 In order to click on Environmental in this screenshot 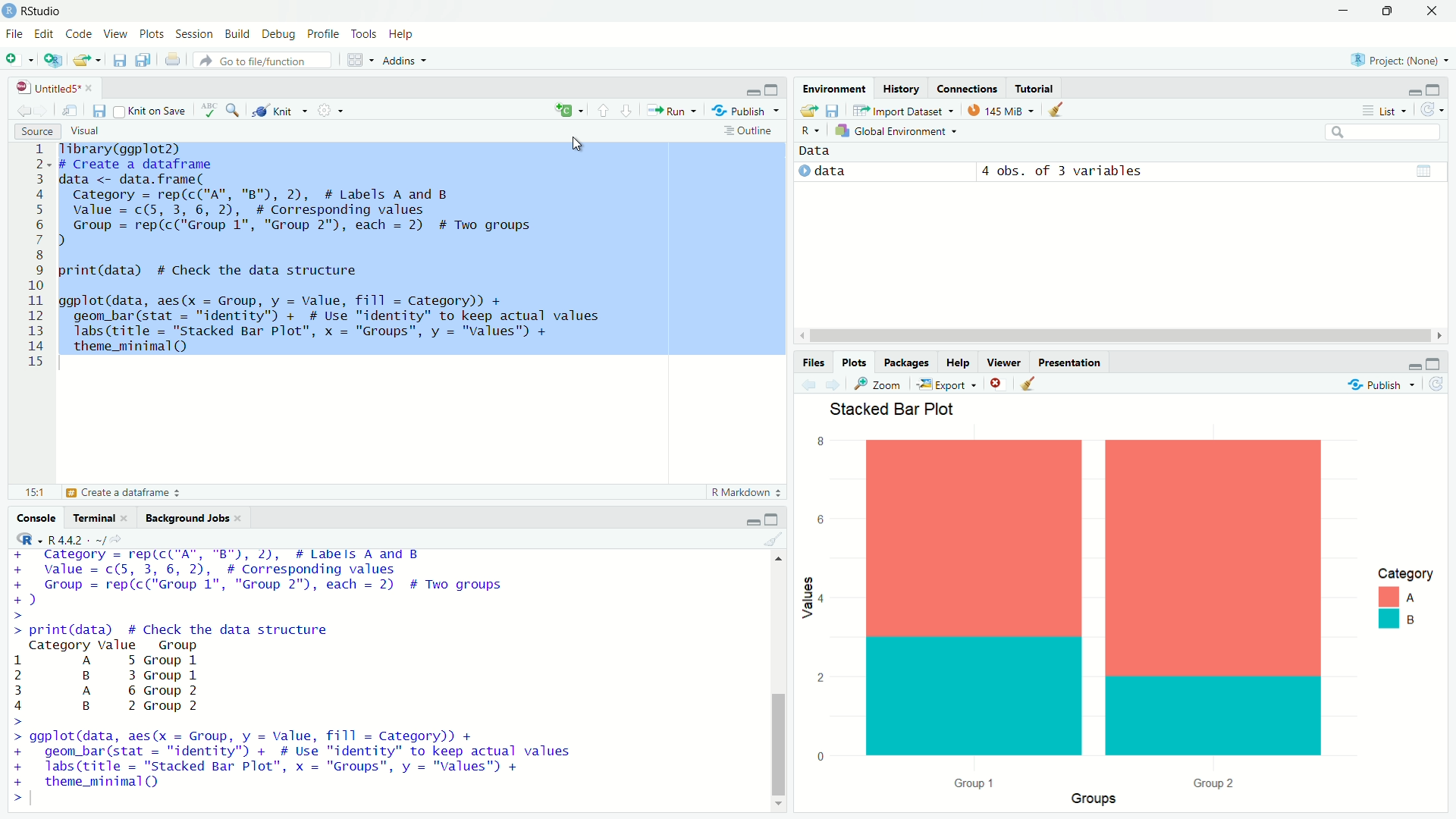, I will do `click(834, 87)`.